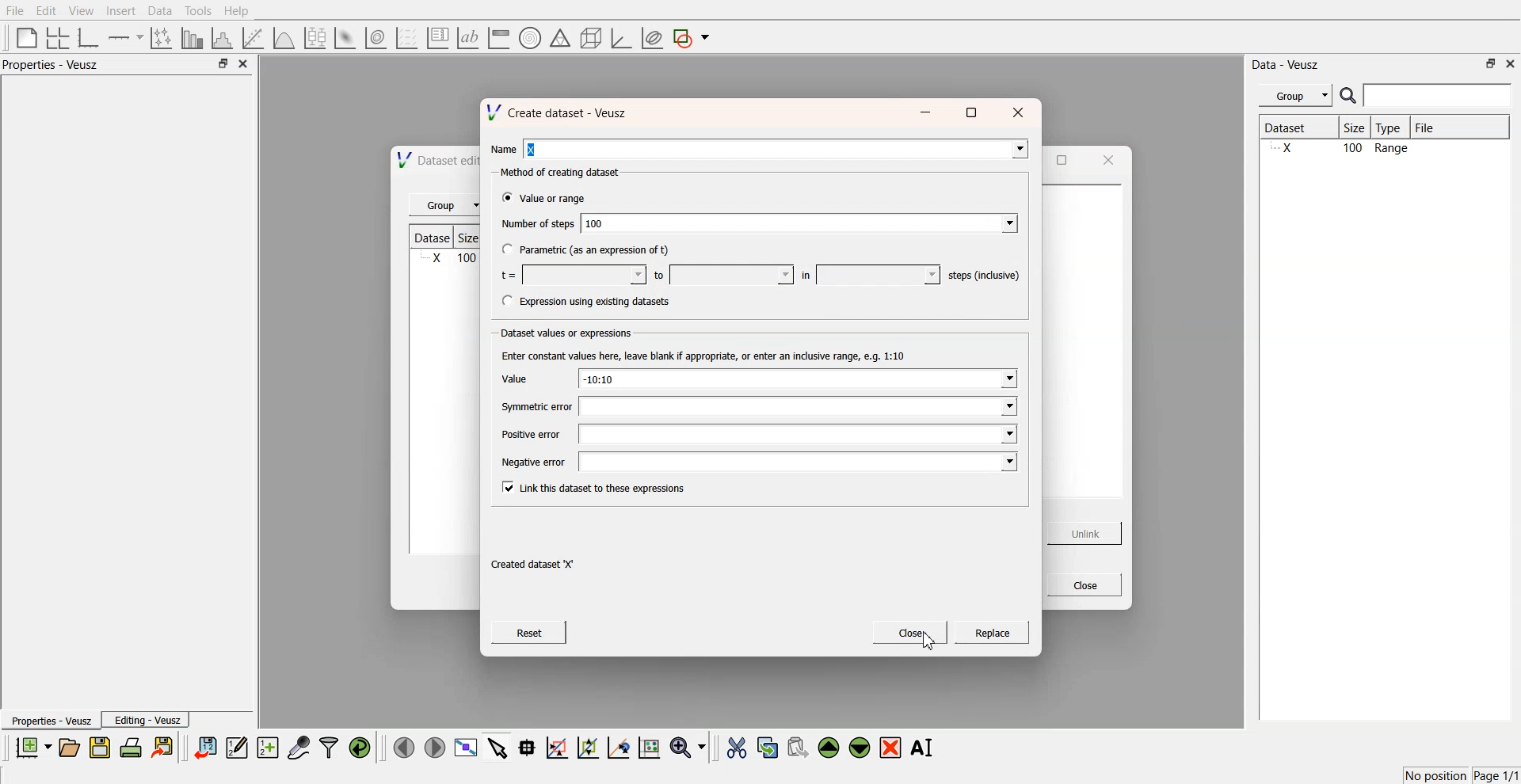 The width and height of the screenshot is (1521, 784). What do you see at coordinates (584, 275) in the screenshot?
I see `min t value field` at bounding box center [584, 275].